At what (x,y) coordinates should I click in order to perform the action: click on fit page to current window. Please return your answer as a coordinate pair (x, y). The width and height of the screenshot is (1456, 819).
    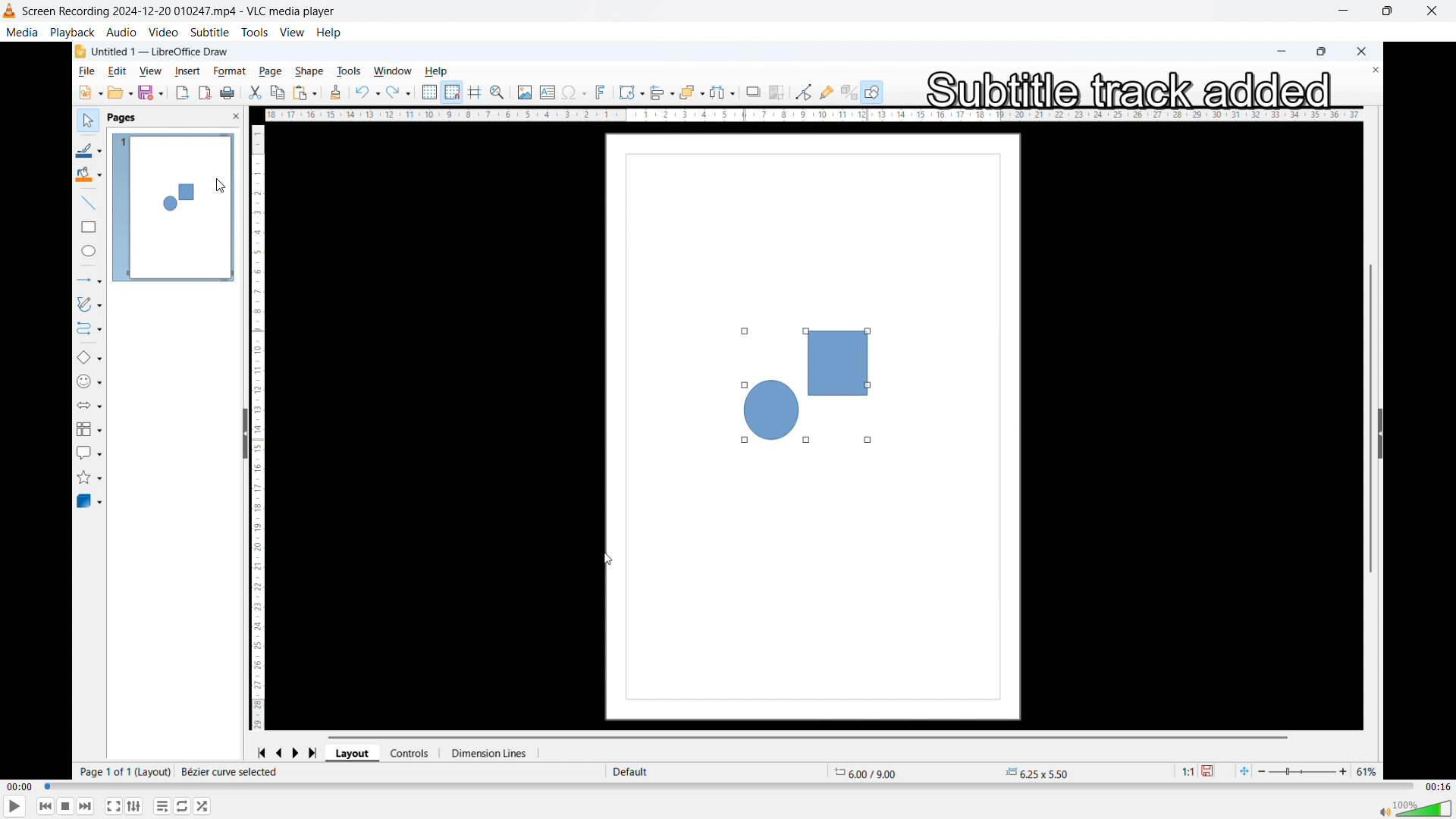
    Looking at the image, I should click on (1244, 770).